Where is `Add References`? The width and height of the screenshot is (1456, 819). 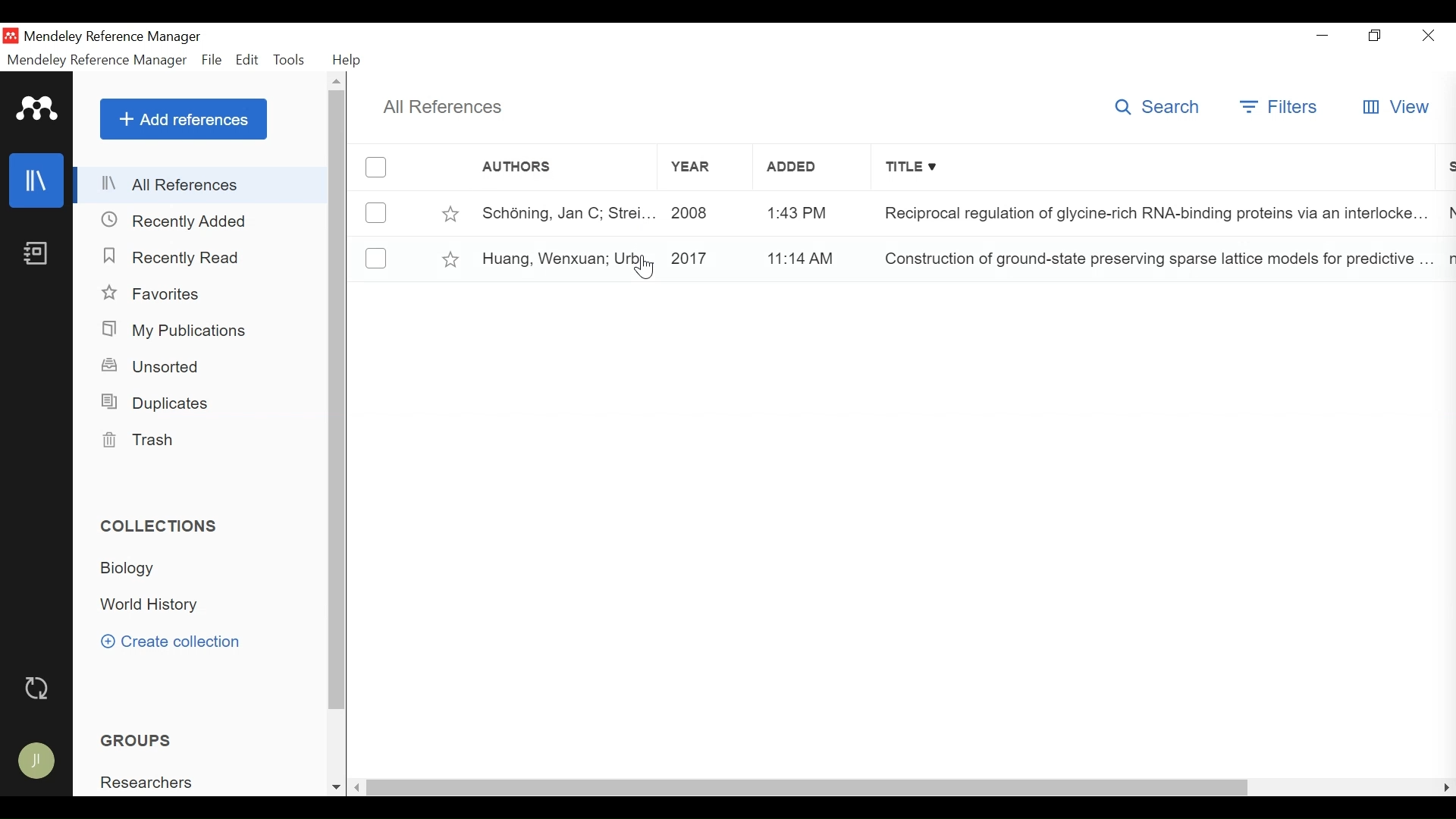 Add References is located at coordinates (184, 119).